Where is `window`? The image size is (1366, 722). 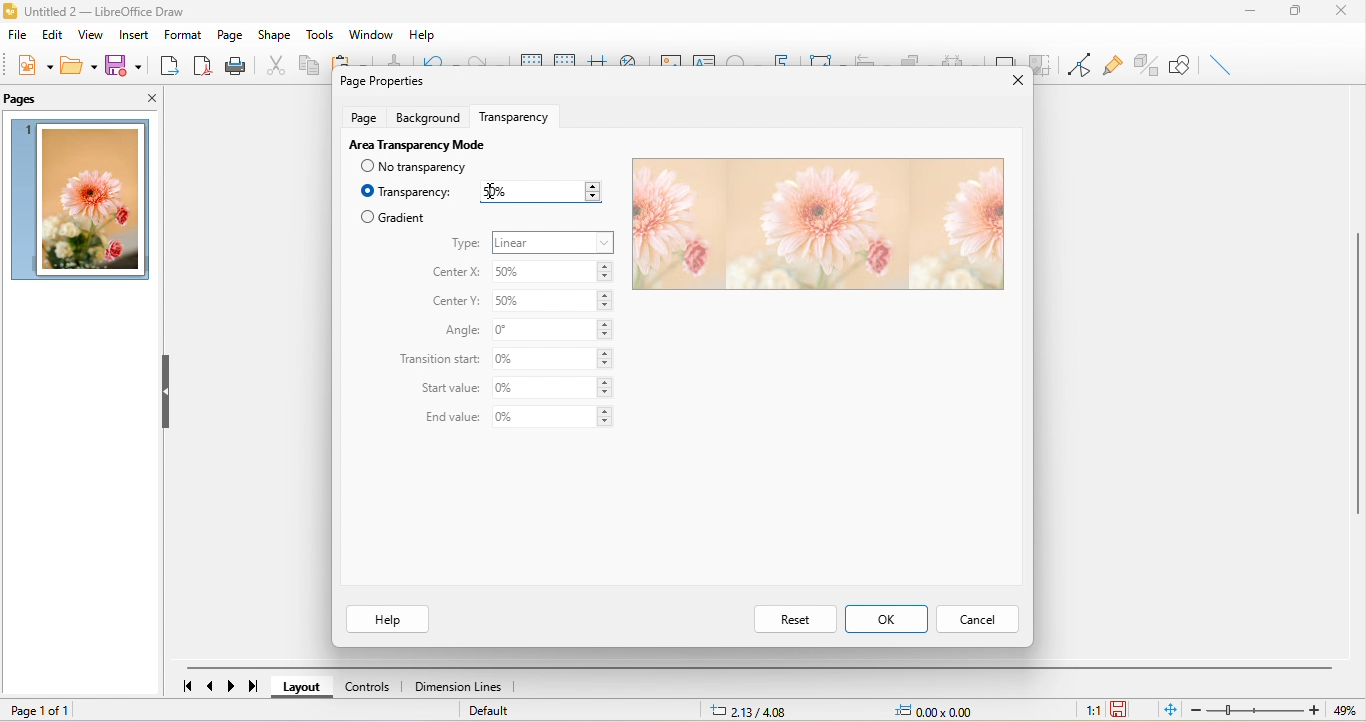 window is located at coordinates (374, 34).